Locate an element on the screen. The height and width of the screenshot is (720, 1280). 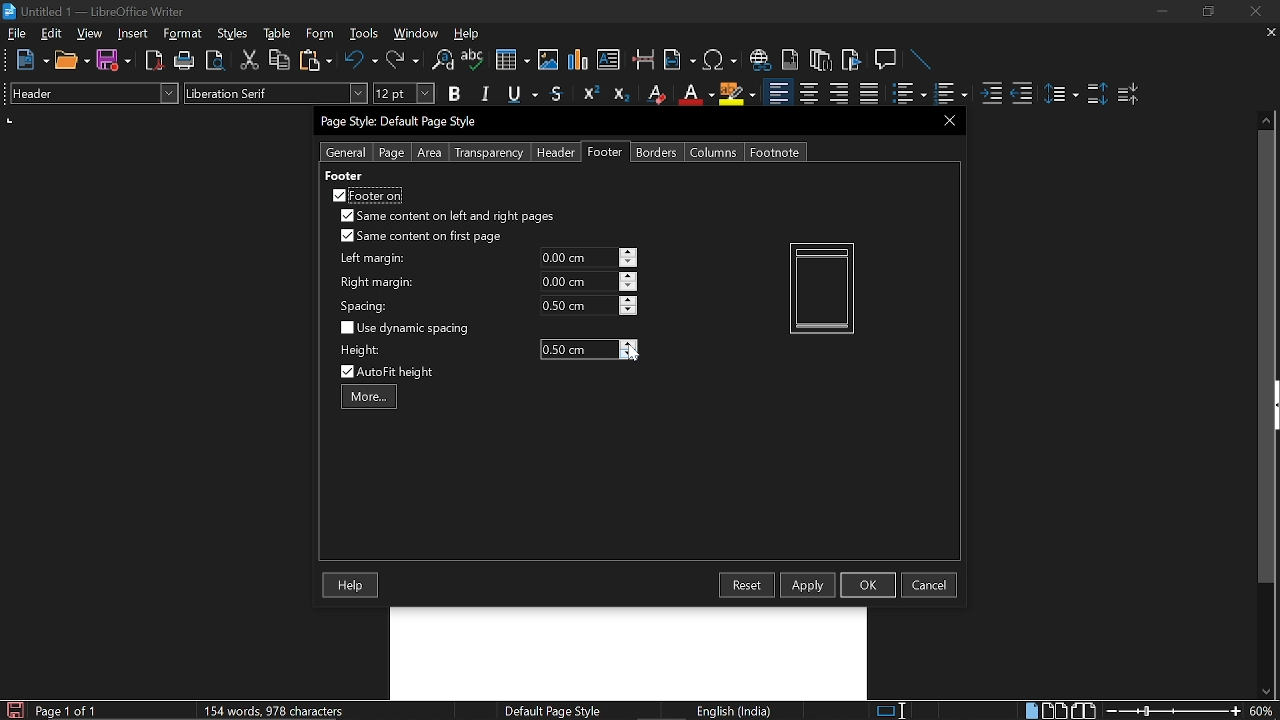
Center is located at coordinates (808, 93).